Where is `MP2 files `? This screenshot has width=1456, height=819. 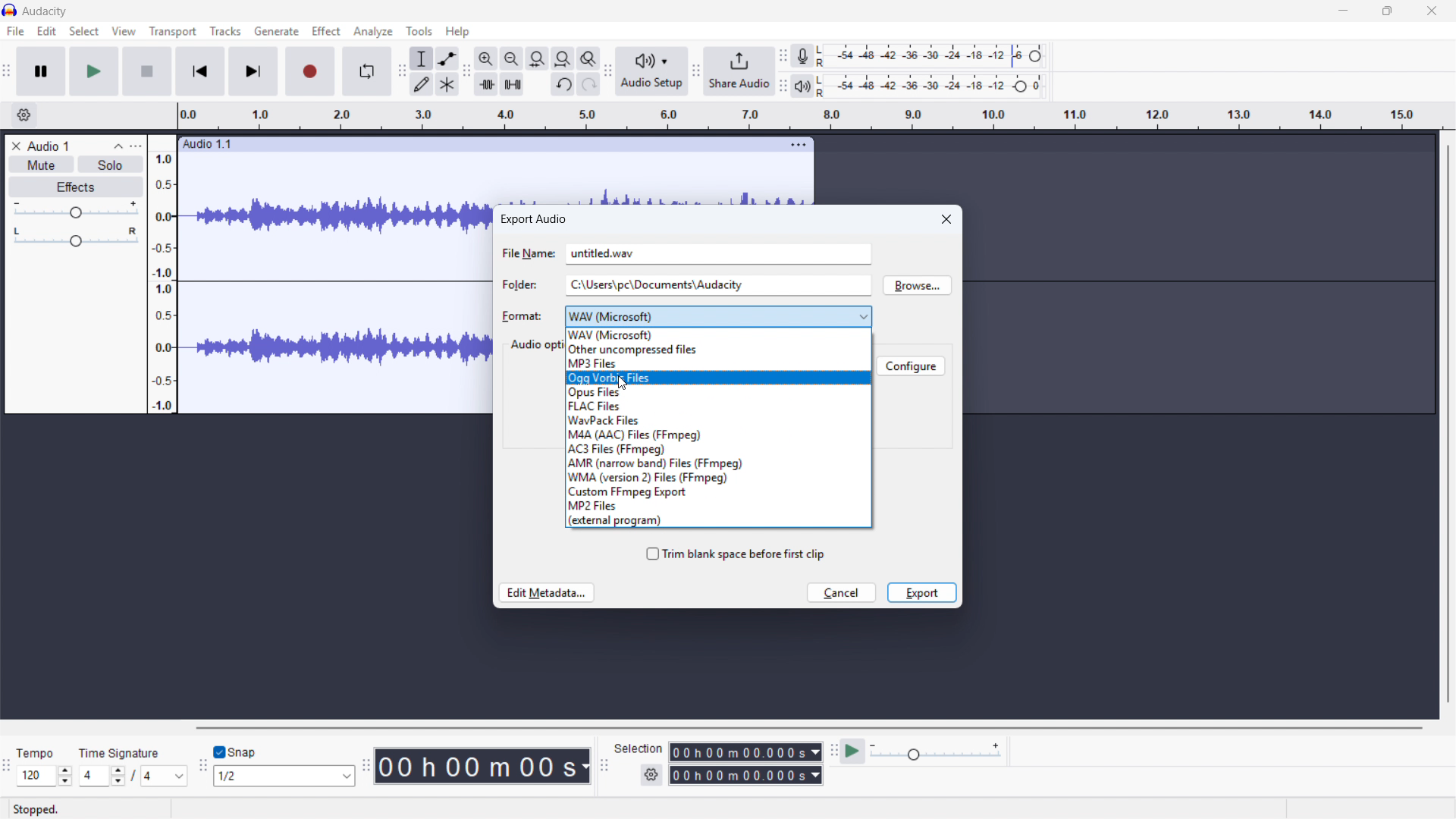 MP2 files  is located at coordinates (719, 506).